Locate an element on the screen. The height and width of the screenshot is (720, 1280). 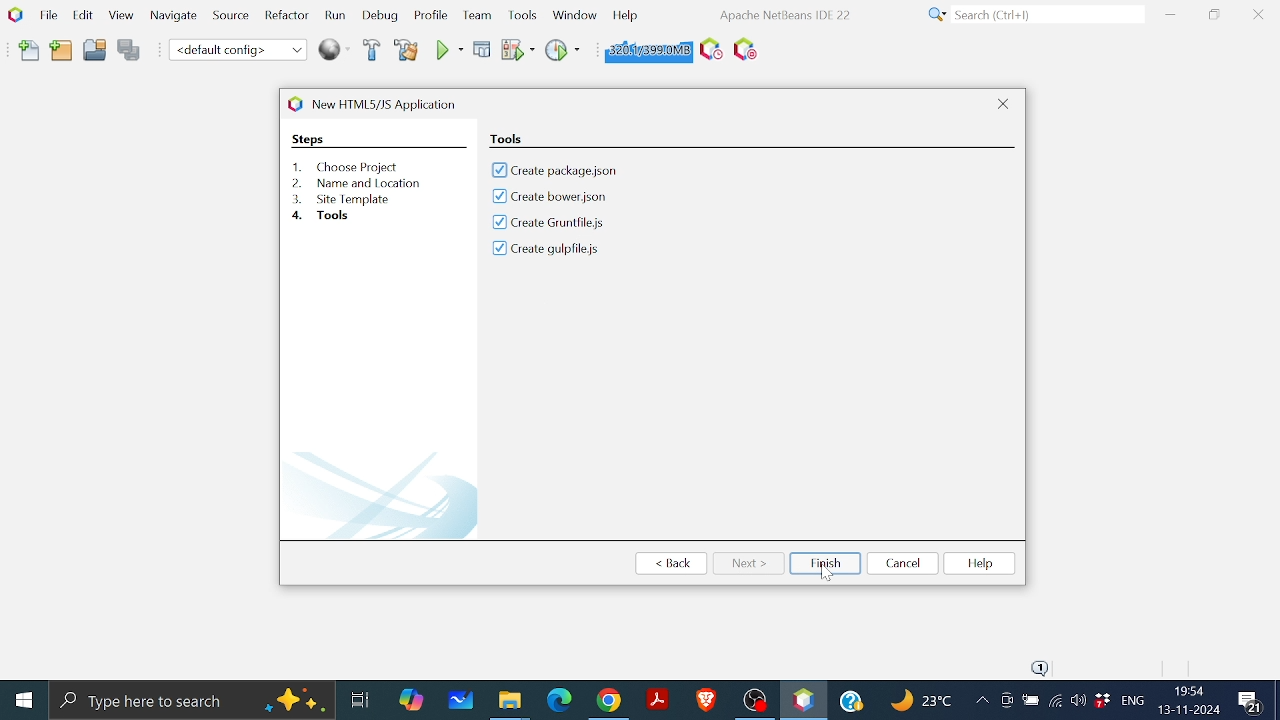
Brave Browser is located at coordinates (705, 699).